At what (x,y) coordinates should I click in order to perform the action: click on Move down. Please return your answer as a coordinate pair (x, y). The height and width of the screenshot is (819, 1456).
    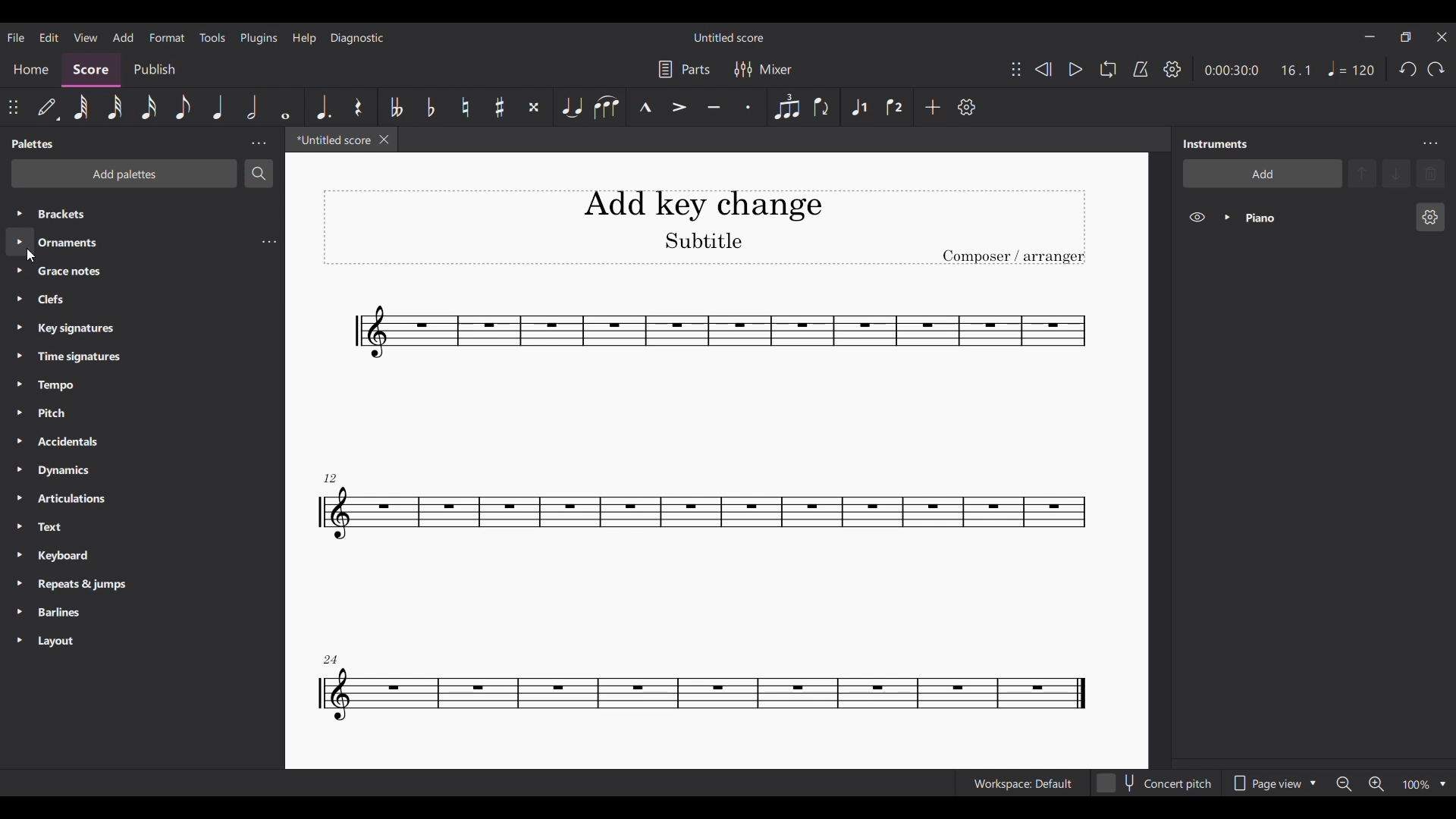
    Looking at the image, I should click on (1396, 174).